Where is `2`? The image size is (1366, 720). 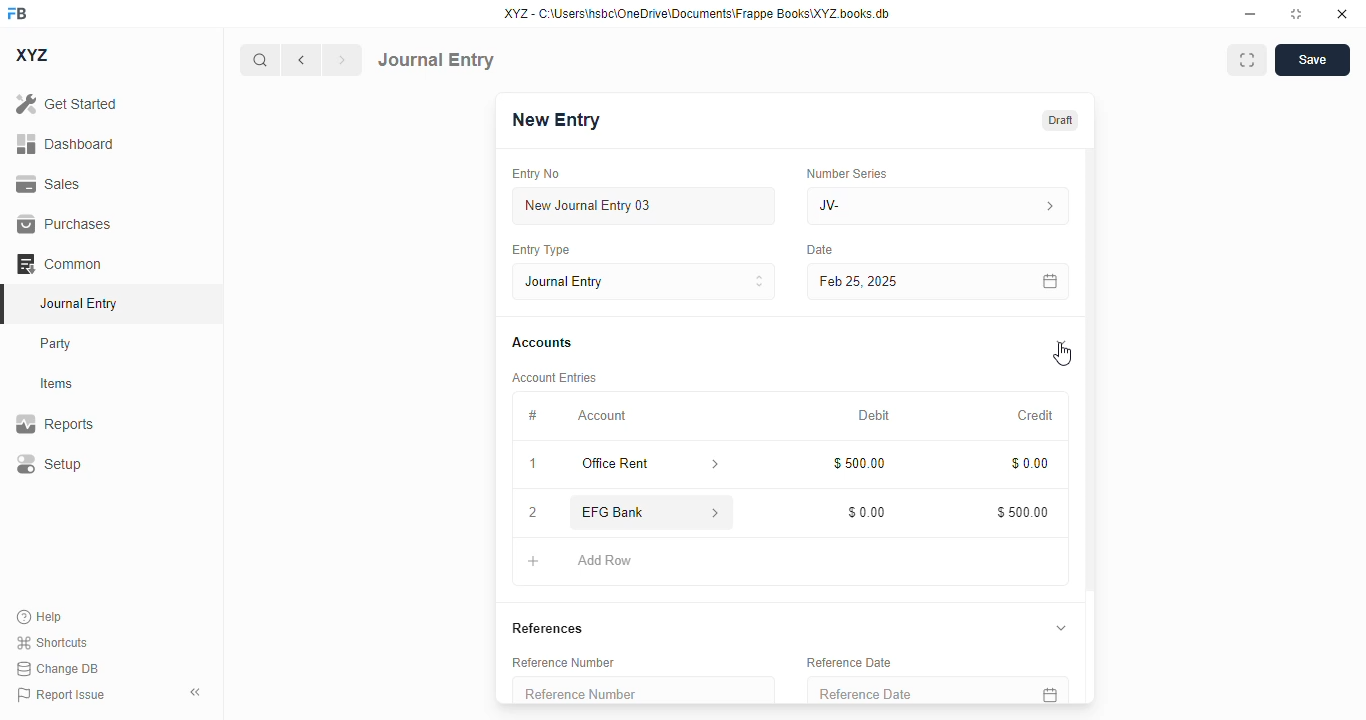 2 is located at coordinates (533, 514).